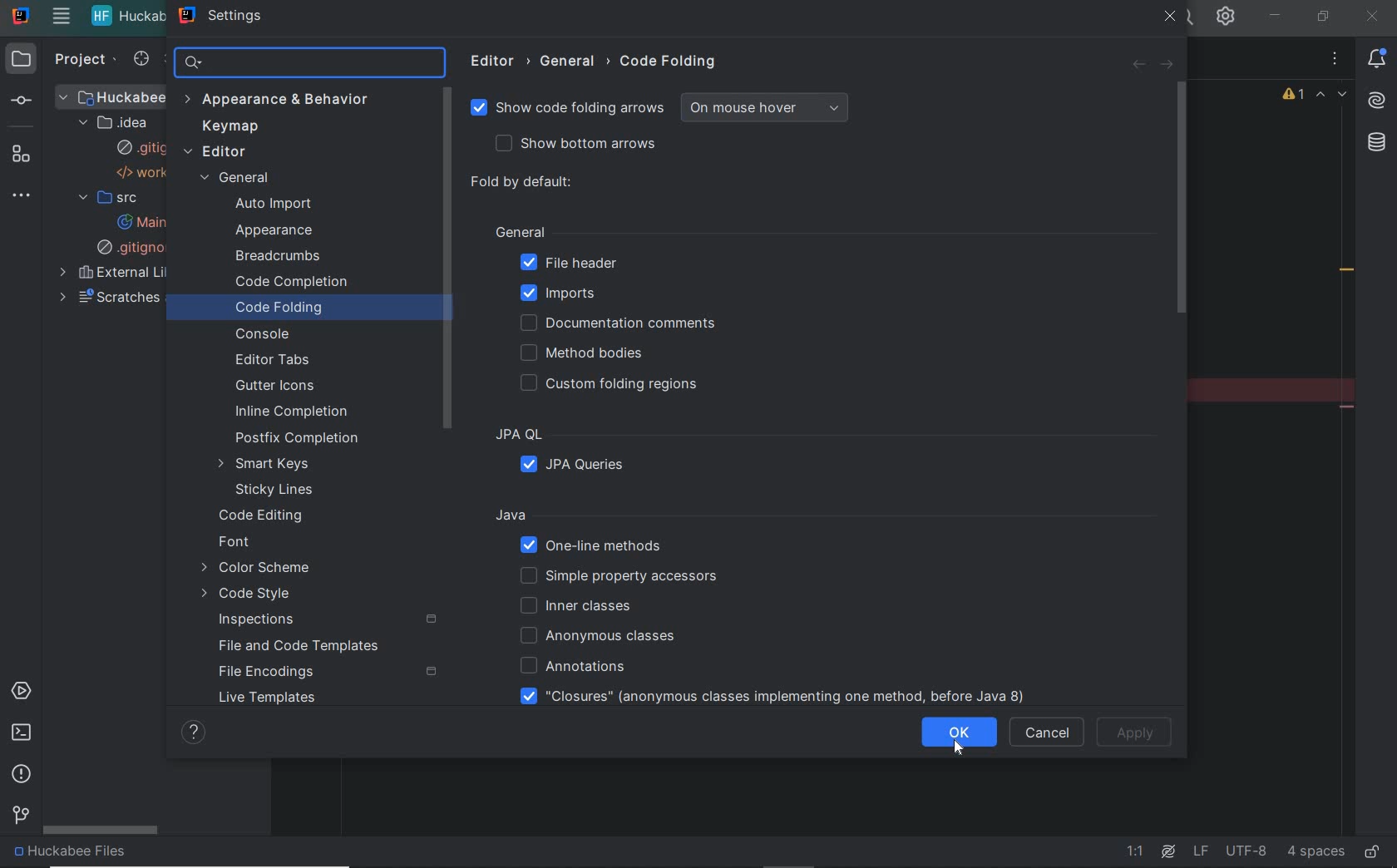  I want to click on inline completion, so click(295, 411).